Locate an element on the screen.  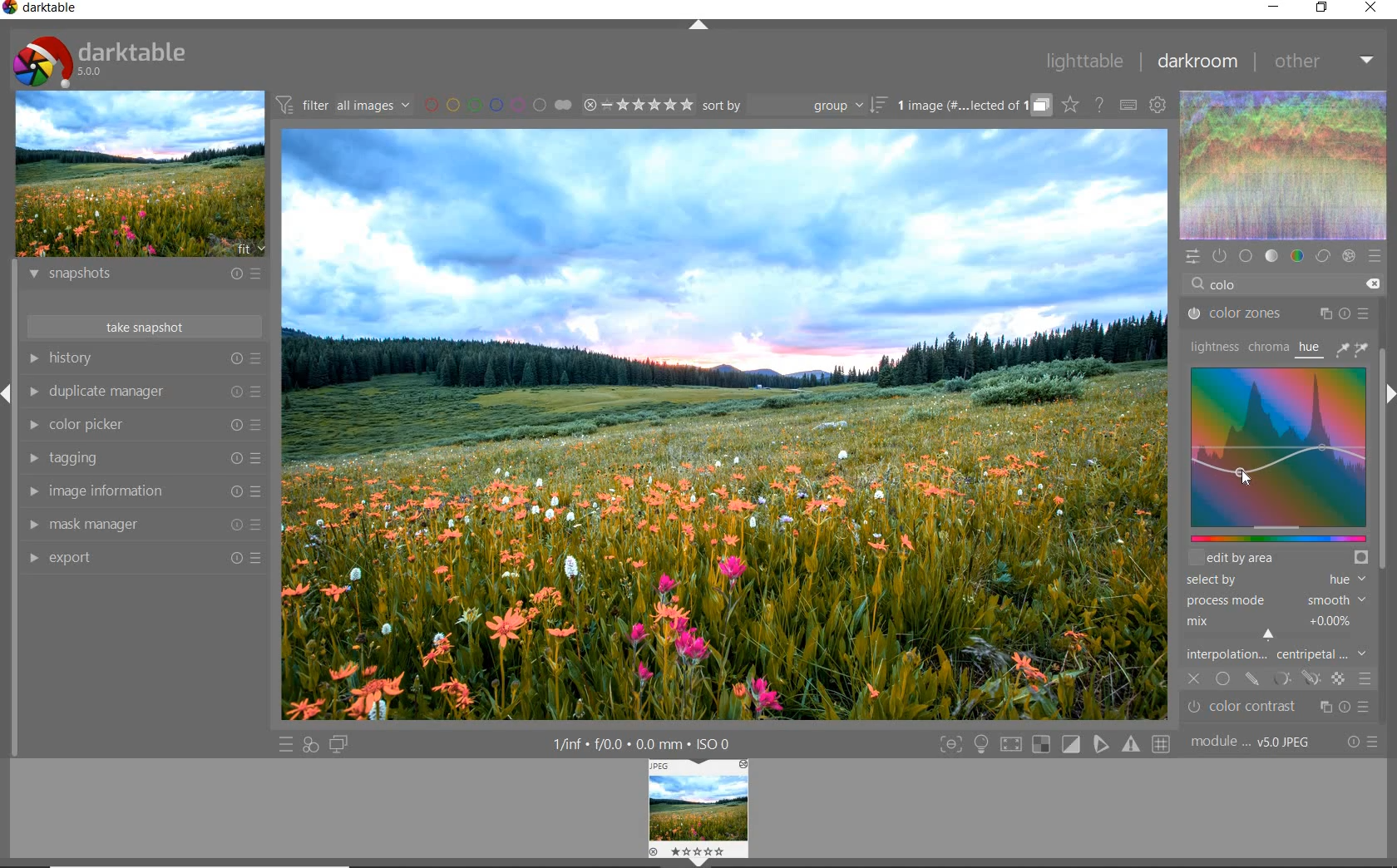
show only active modules is located at coordinates (1218, 254).